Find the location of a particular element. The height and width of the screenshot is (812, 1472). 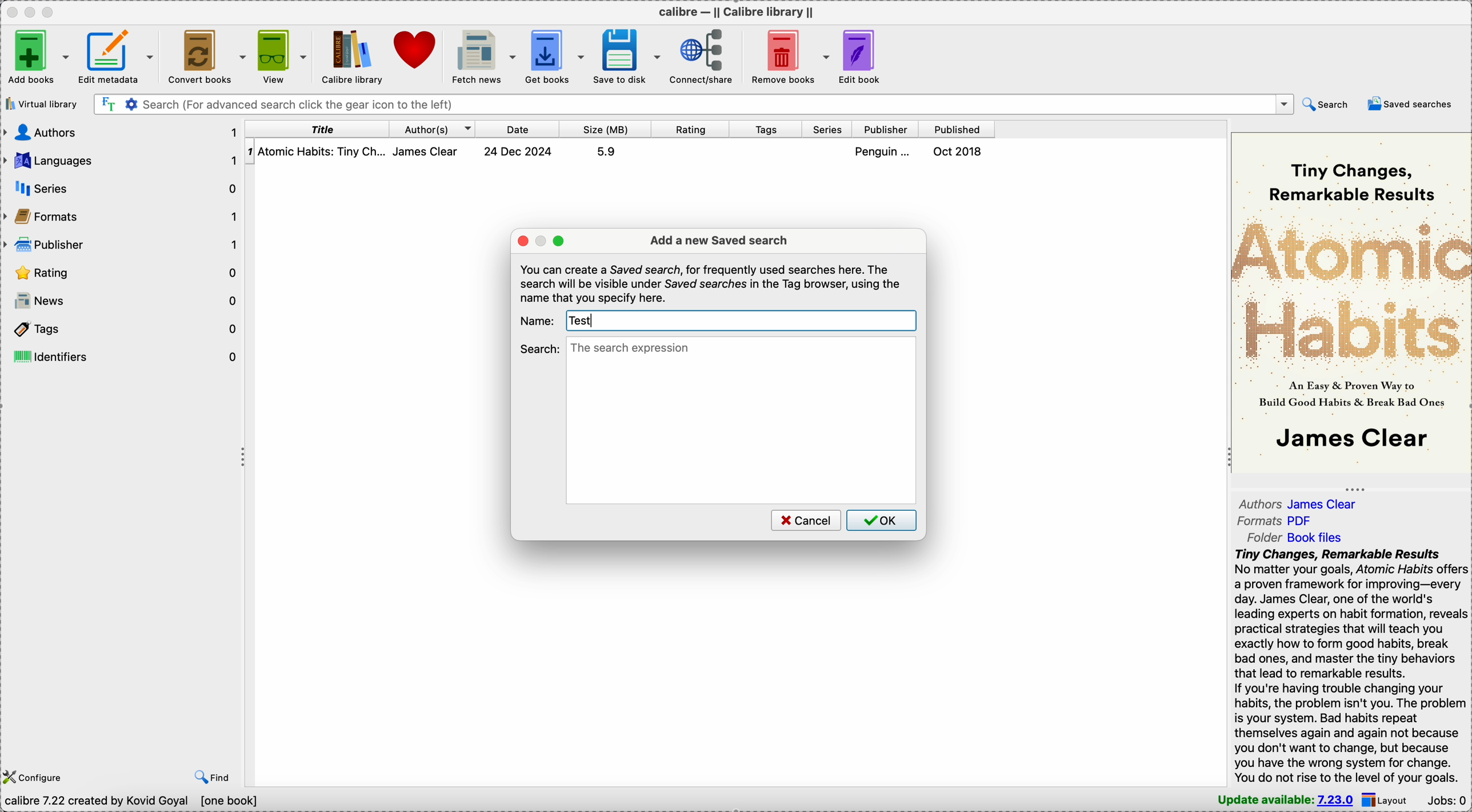

series is located at coordinates (127, 188).